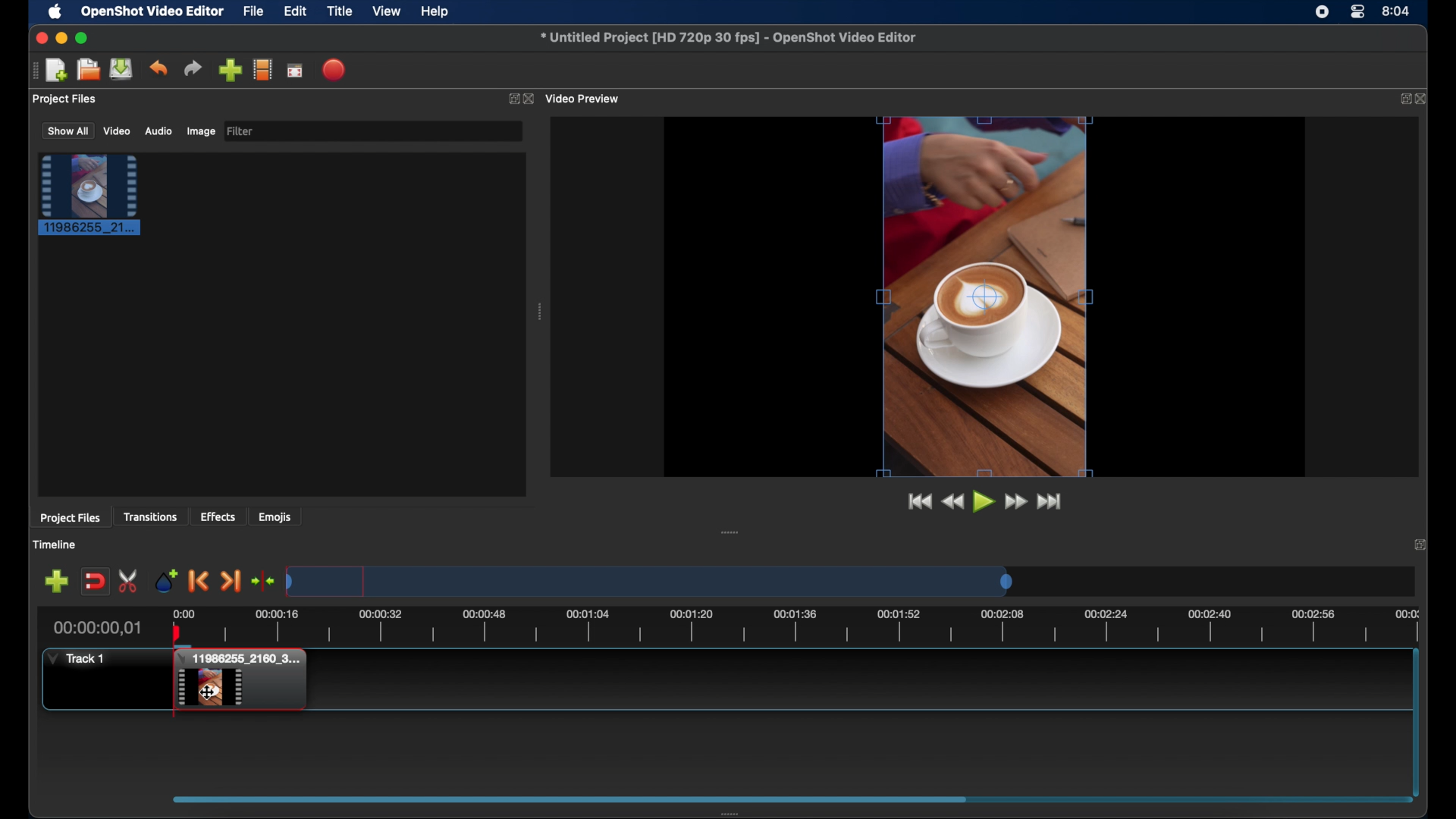 This screenshot has width=1456, height=819. I want to click on project file, so click(90, 195).